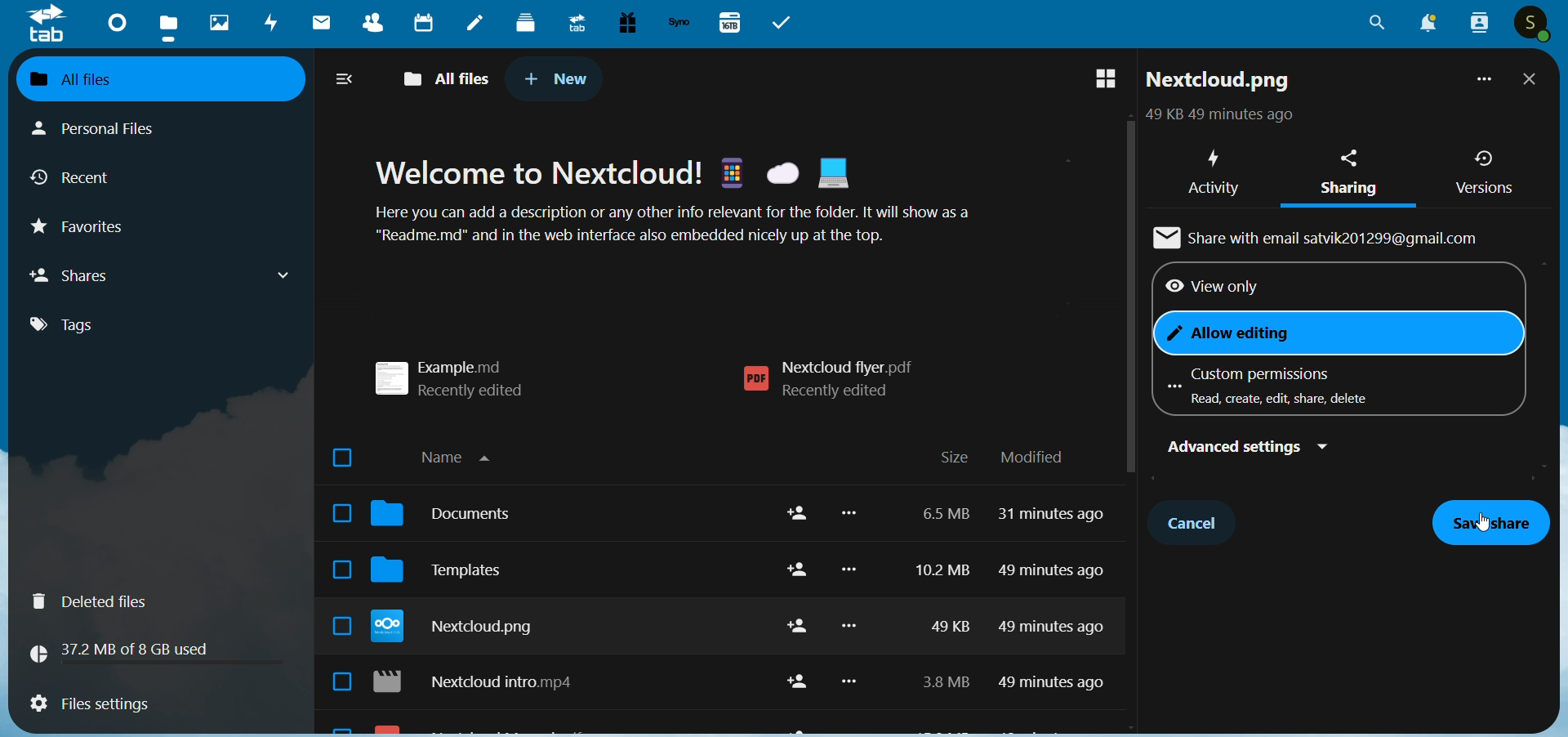  What do you see at coordinates (1484, 172) in the screenshot?
I see `versions` at bounding box center [1484, 172].